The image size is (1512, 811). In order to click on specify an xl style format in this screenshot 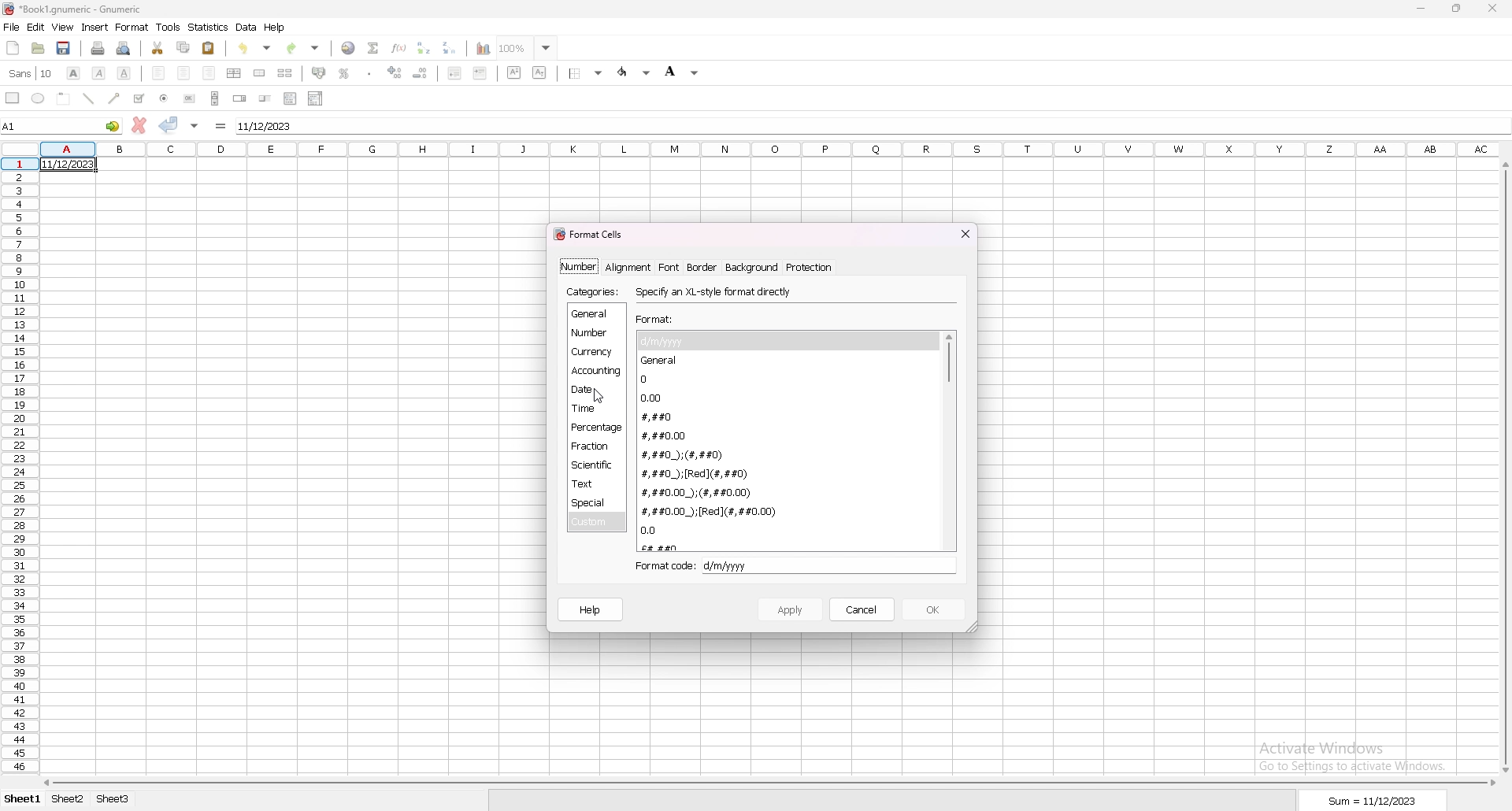, I will do `click(717, 293)`.